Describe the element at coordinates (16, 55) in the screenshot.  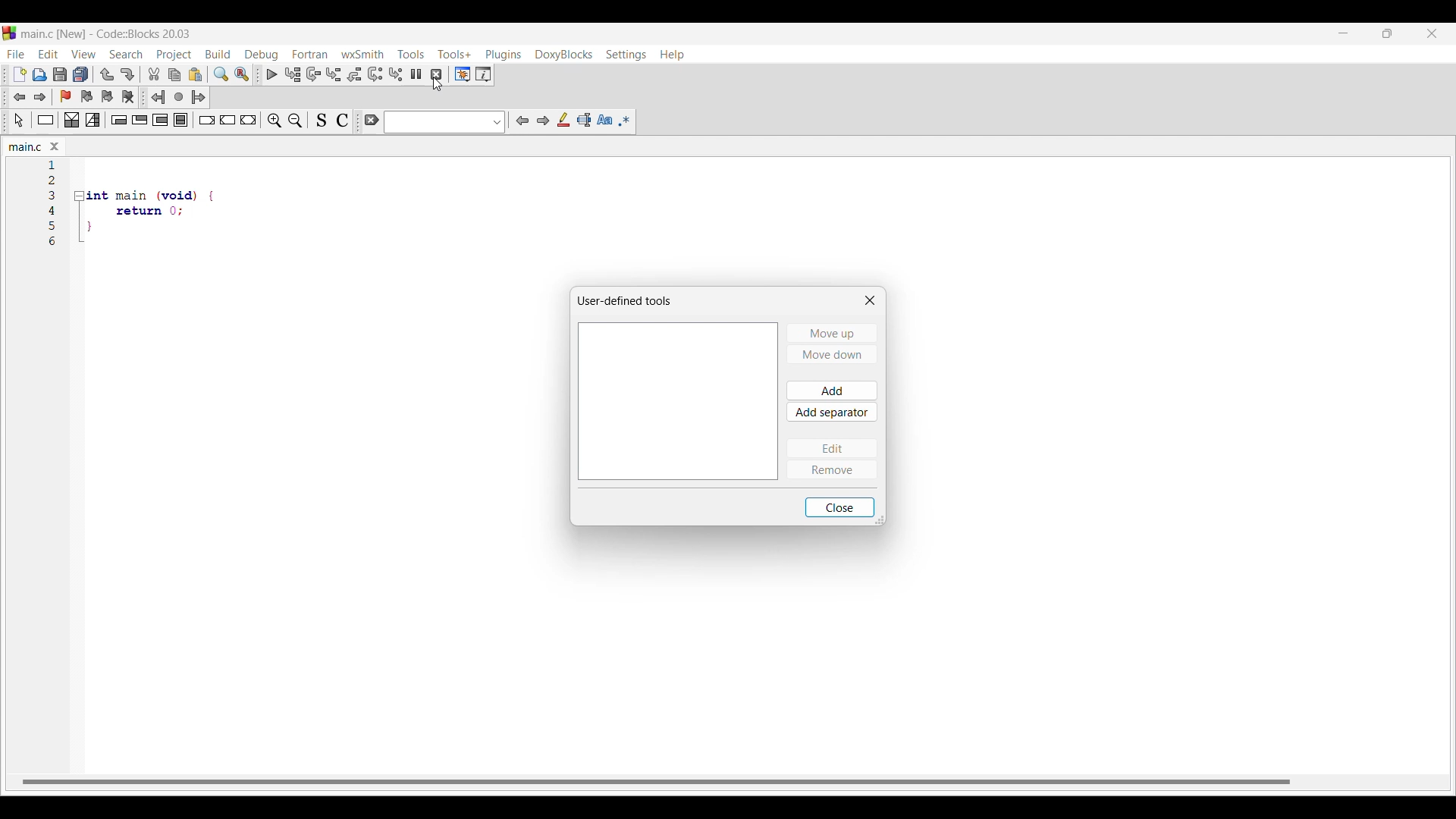
I see `File menu` at that location.